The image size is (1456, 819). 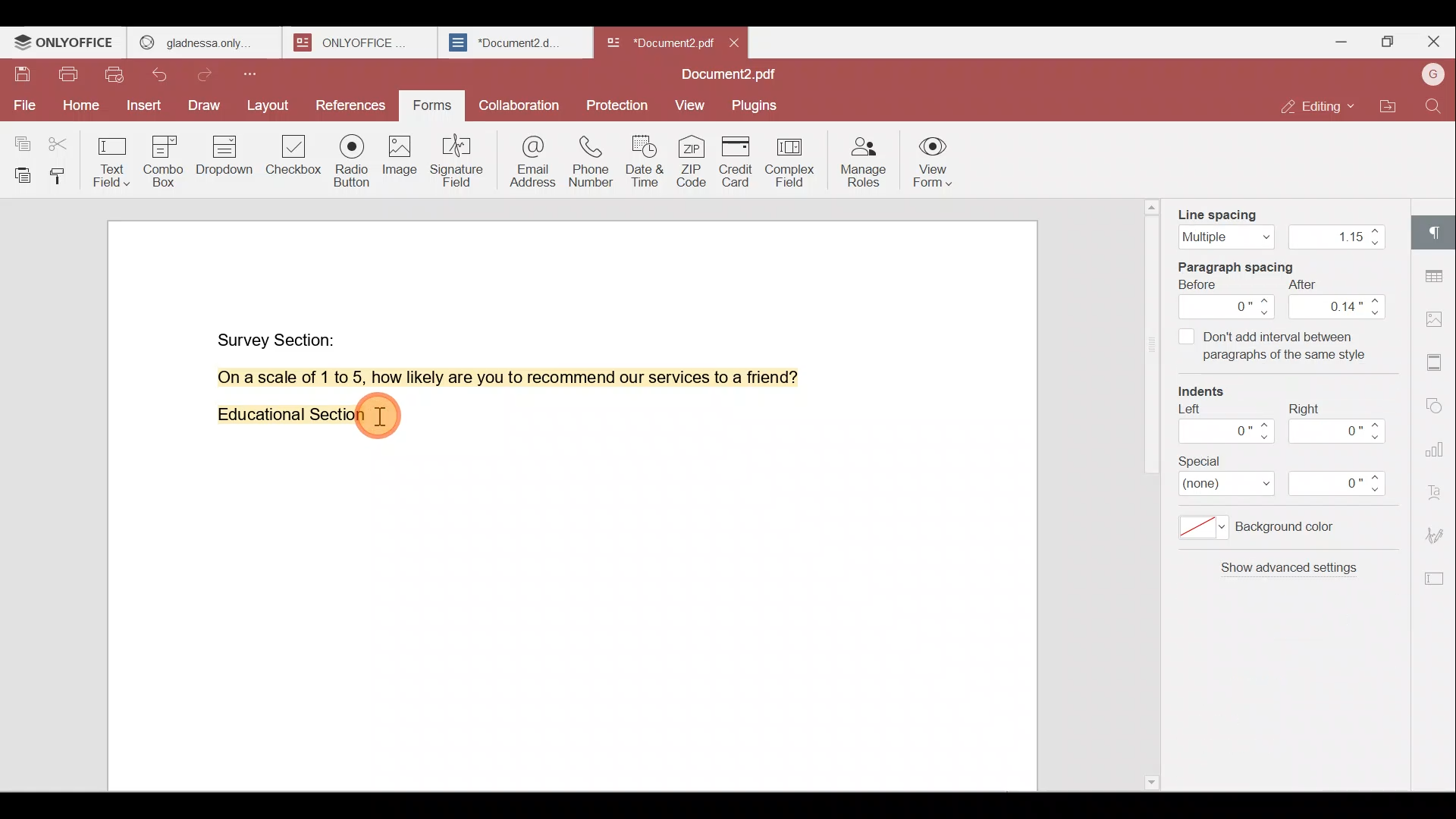 What do you see at coordinates (1429, 579) in the screenshot?
I see `Form settings` at bounding box center [1429, 579].